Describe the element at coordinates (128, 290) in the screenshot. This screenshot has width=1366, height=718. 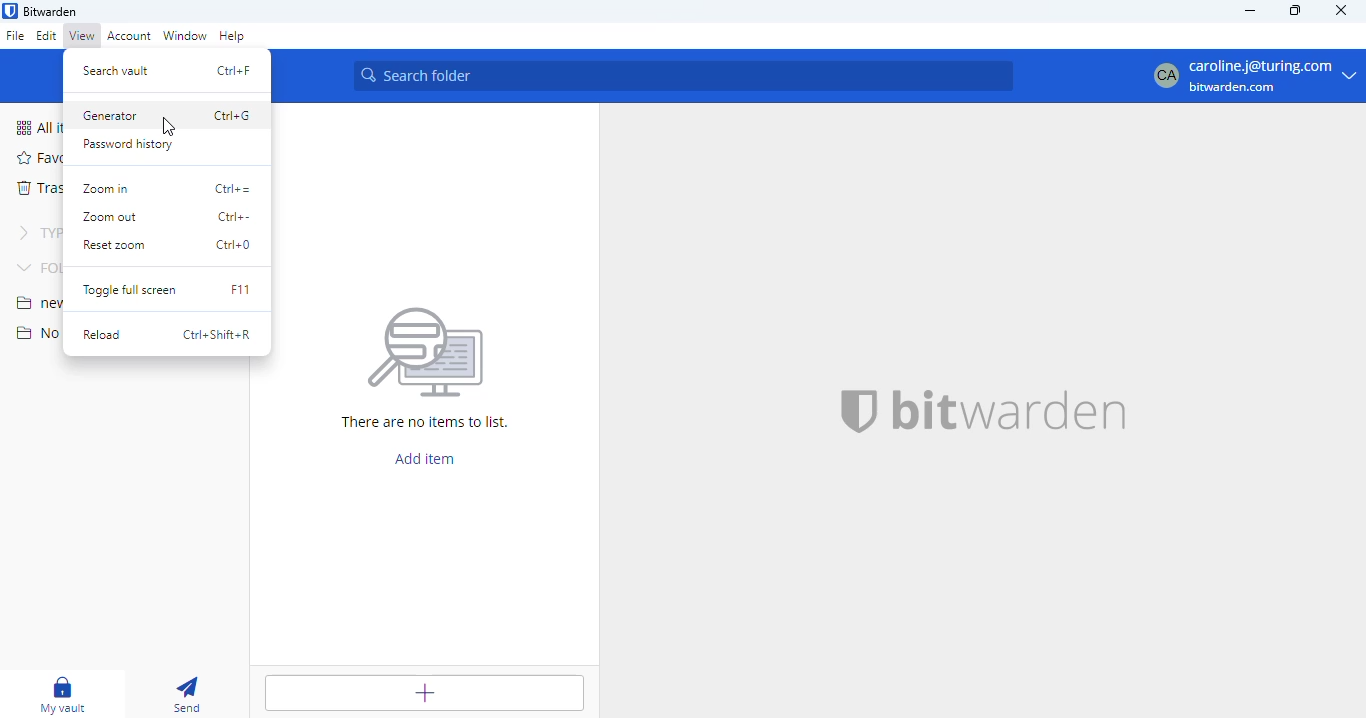
I see `toggle full screen` at that location.